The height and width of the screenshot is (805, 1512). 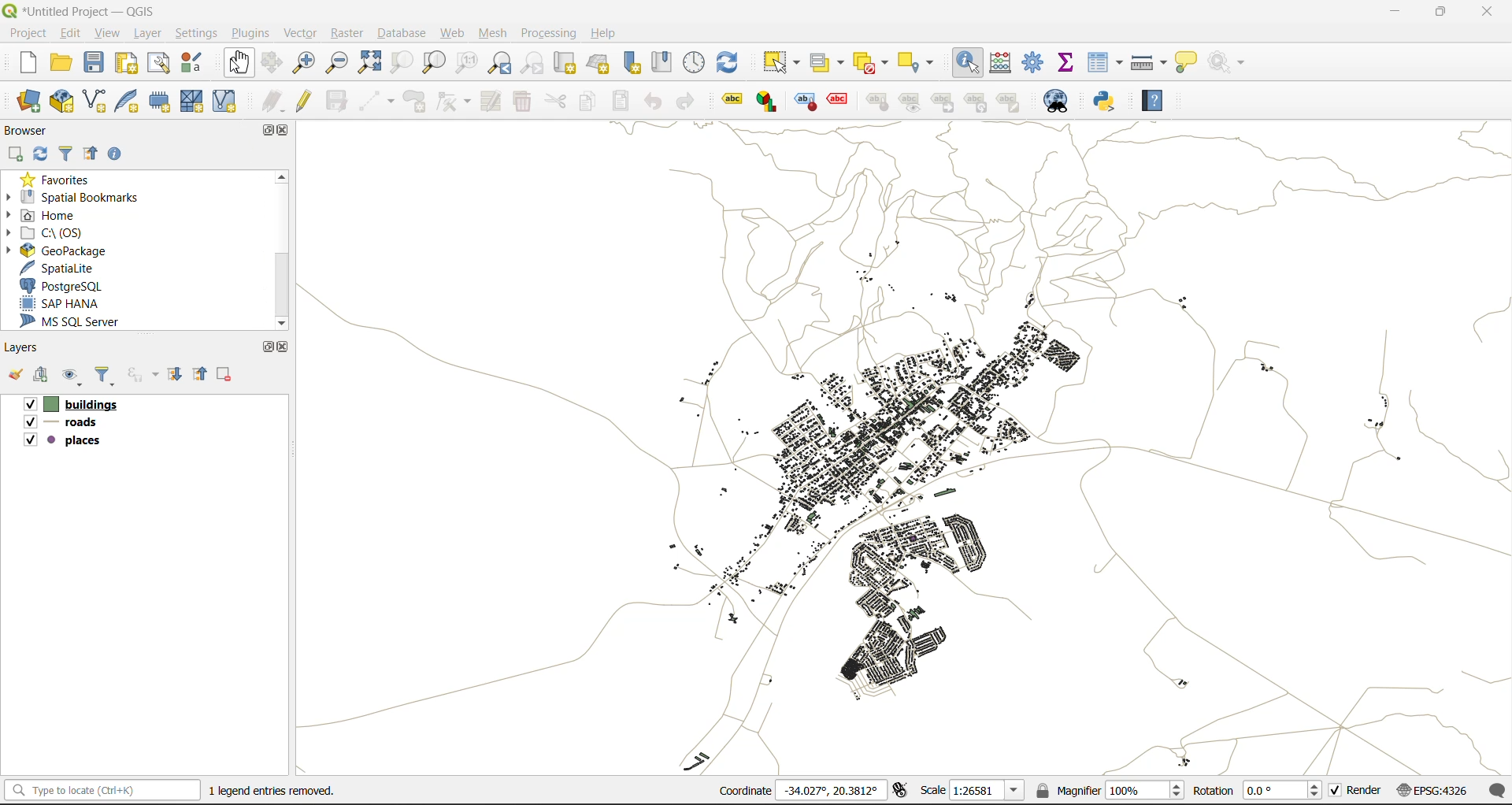 I want to click on render, so click(x=1357, y=792).